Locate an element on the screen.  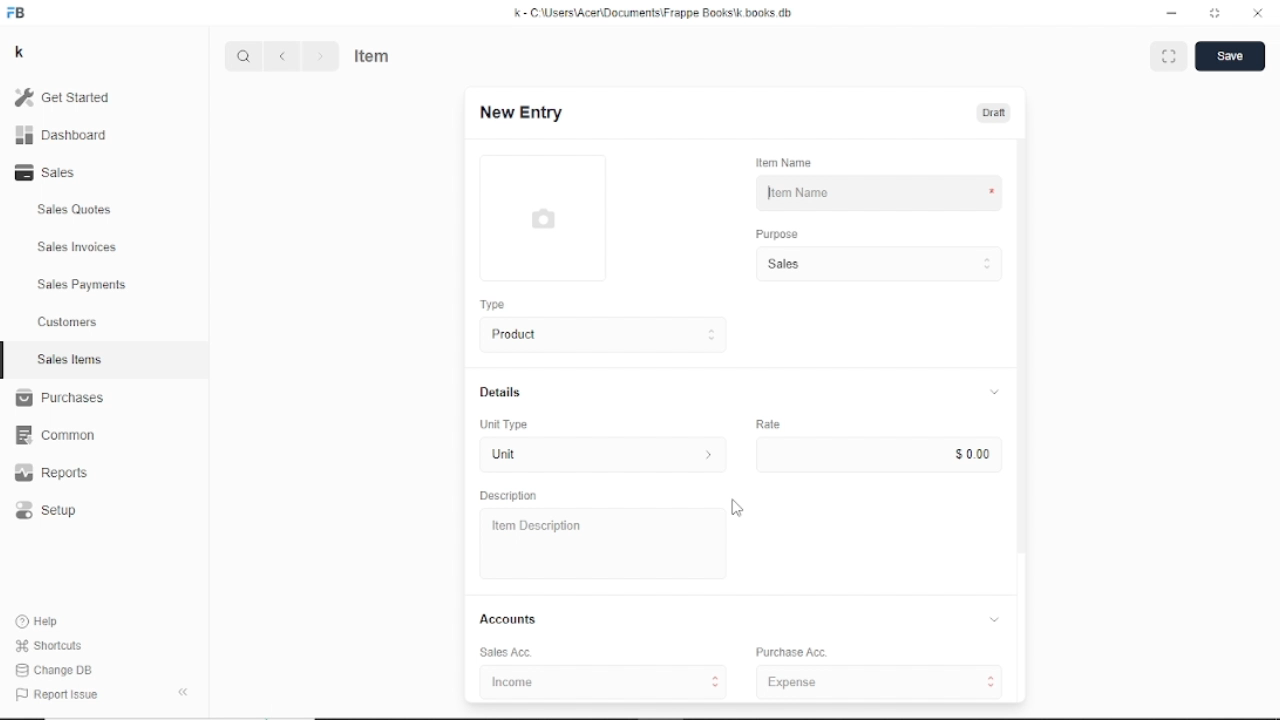
Toggle between form and full width is located at coordinates (1169, 56).